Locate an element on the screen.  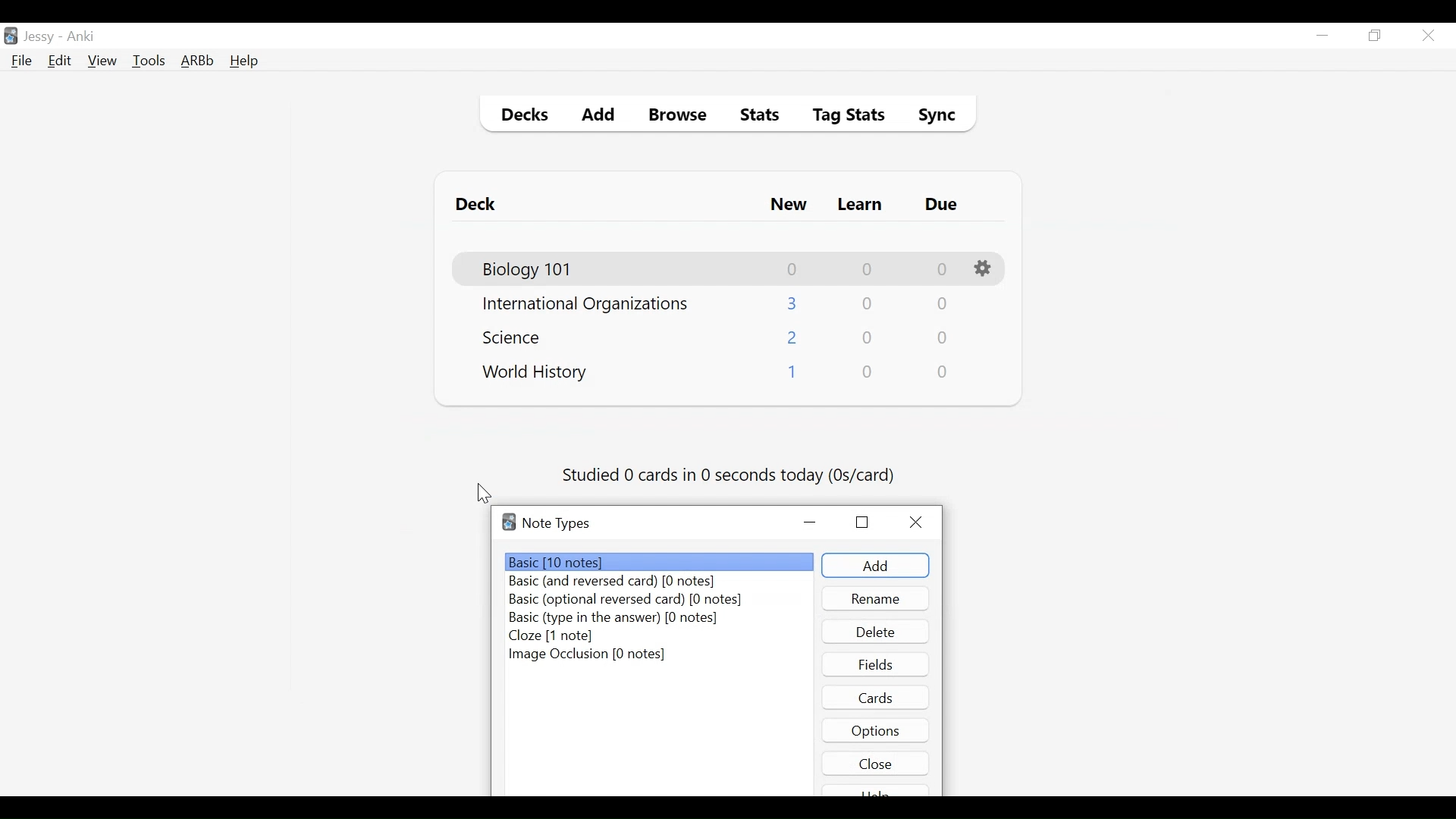
Due Card Count is located at coordinates (943, 270).